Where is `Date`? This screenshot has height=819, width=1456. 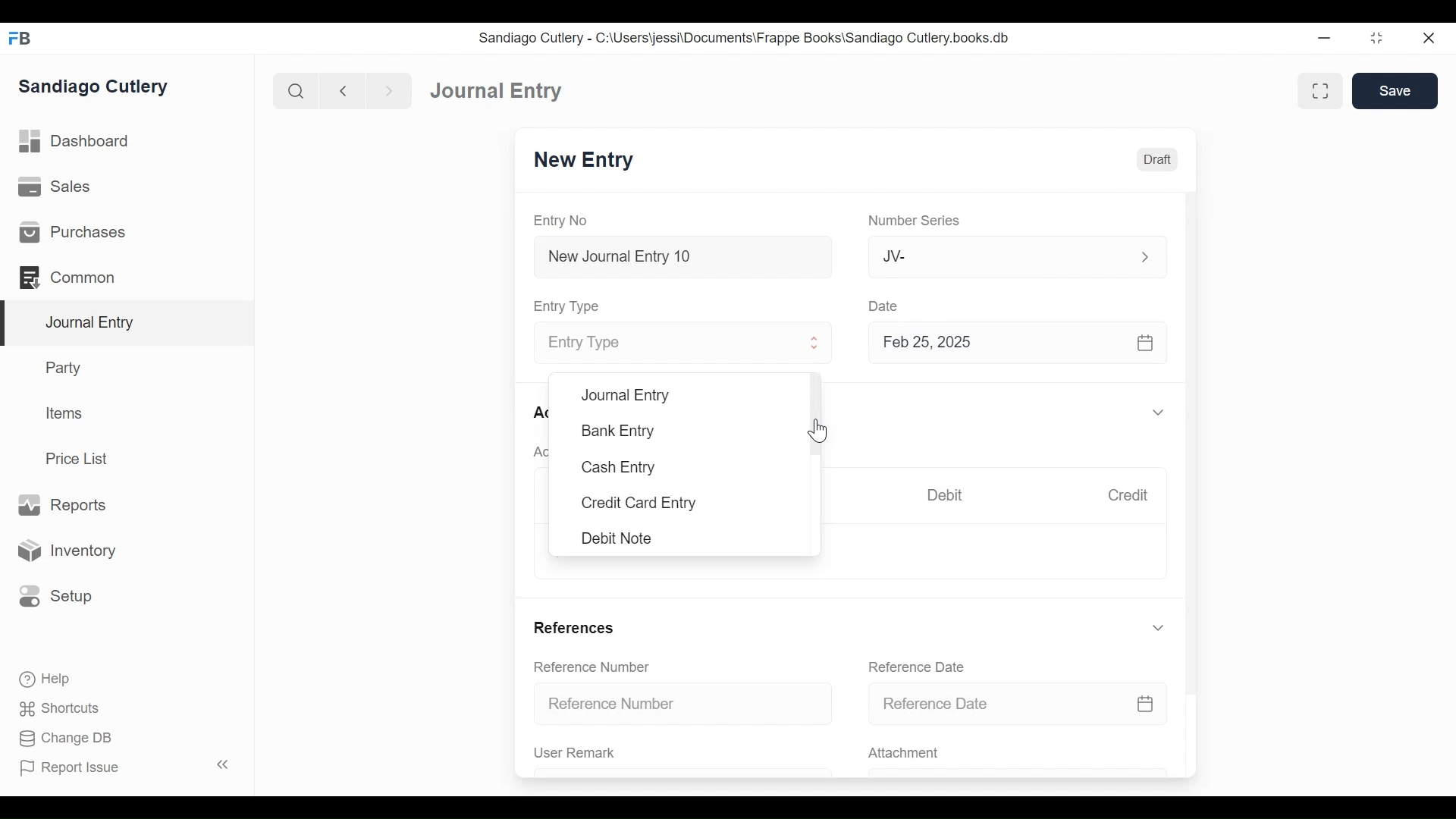 Date is located at coordinates (886, 306).